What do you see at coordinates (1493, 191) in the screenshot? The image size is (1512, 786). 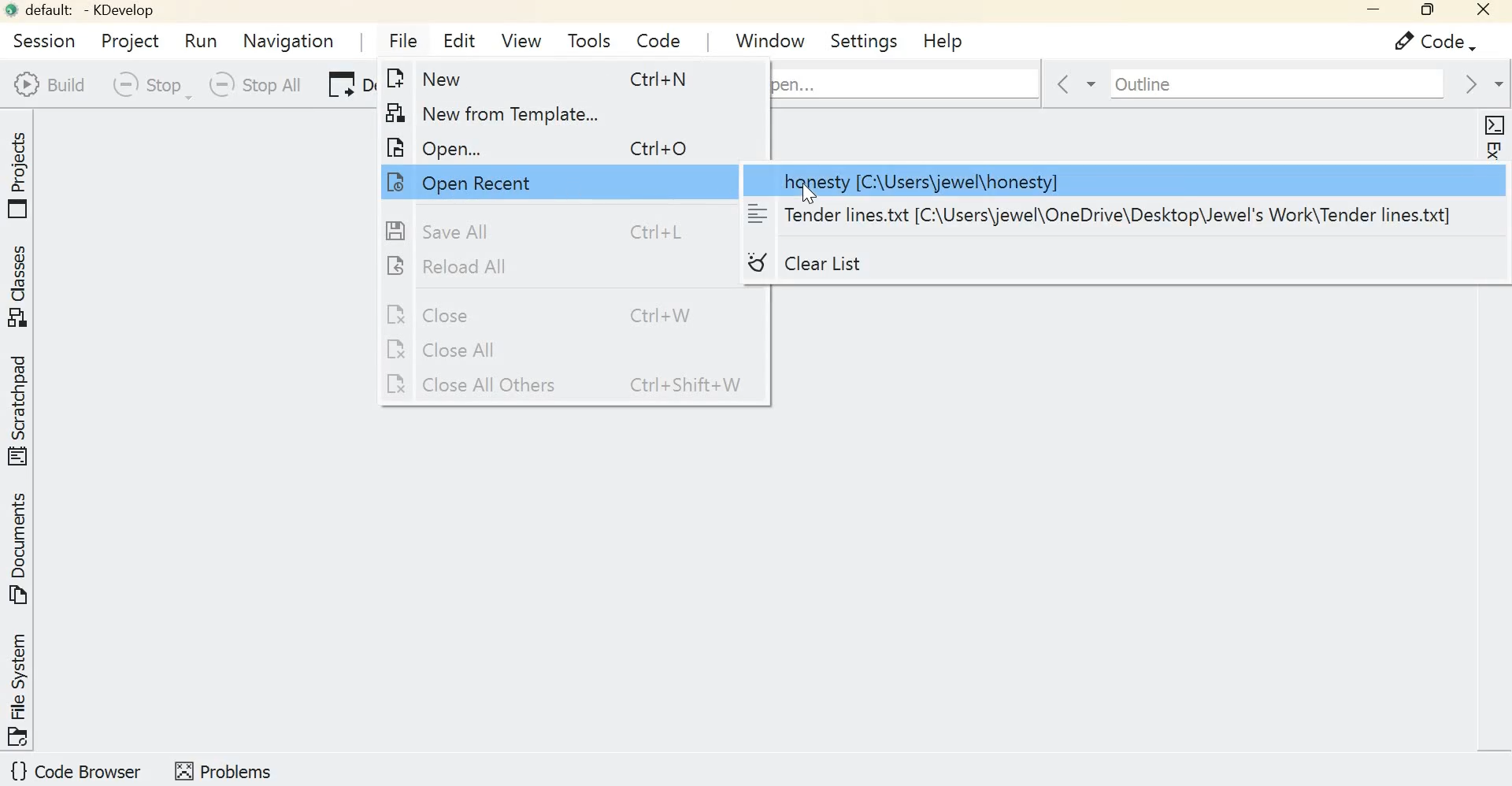 I see `Toggle 'External scripts' tool view` at bounding box center [1493, 191].